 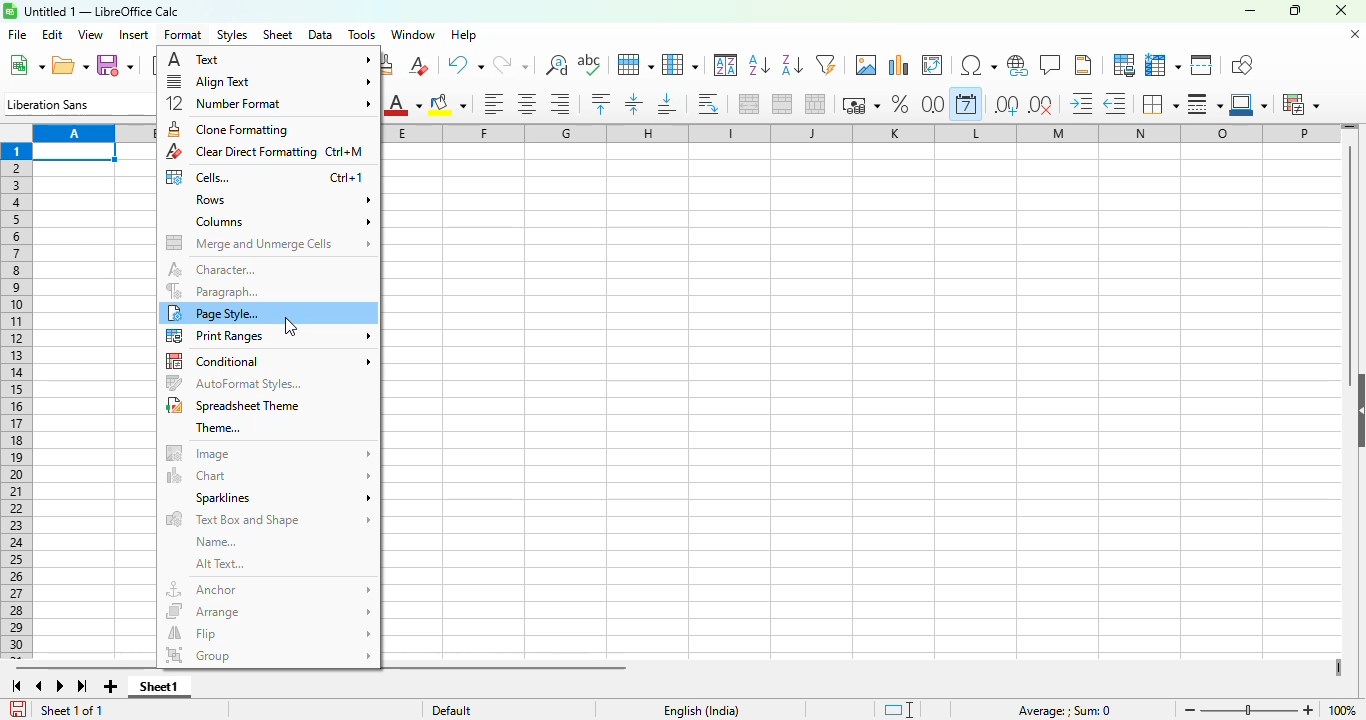 What do you see at coordinates (557, 65) in the screenshot?
I see `find and replace ` at bounding box center [557, 65].